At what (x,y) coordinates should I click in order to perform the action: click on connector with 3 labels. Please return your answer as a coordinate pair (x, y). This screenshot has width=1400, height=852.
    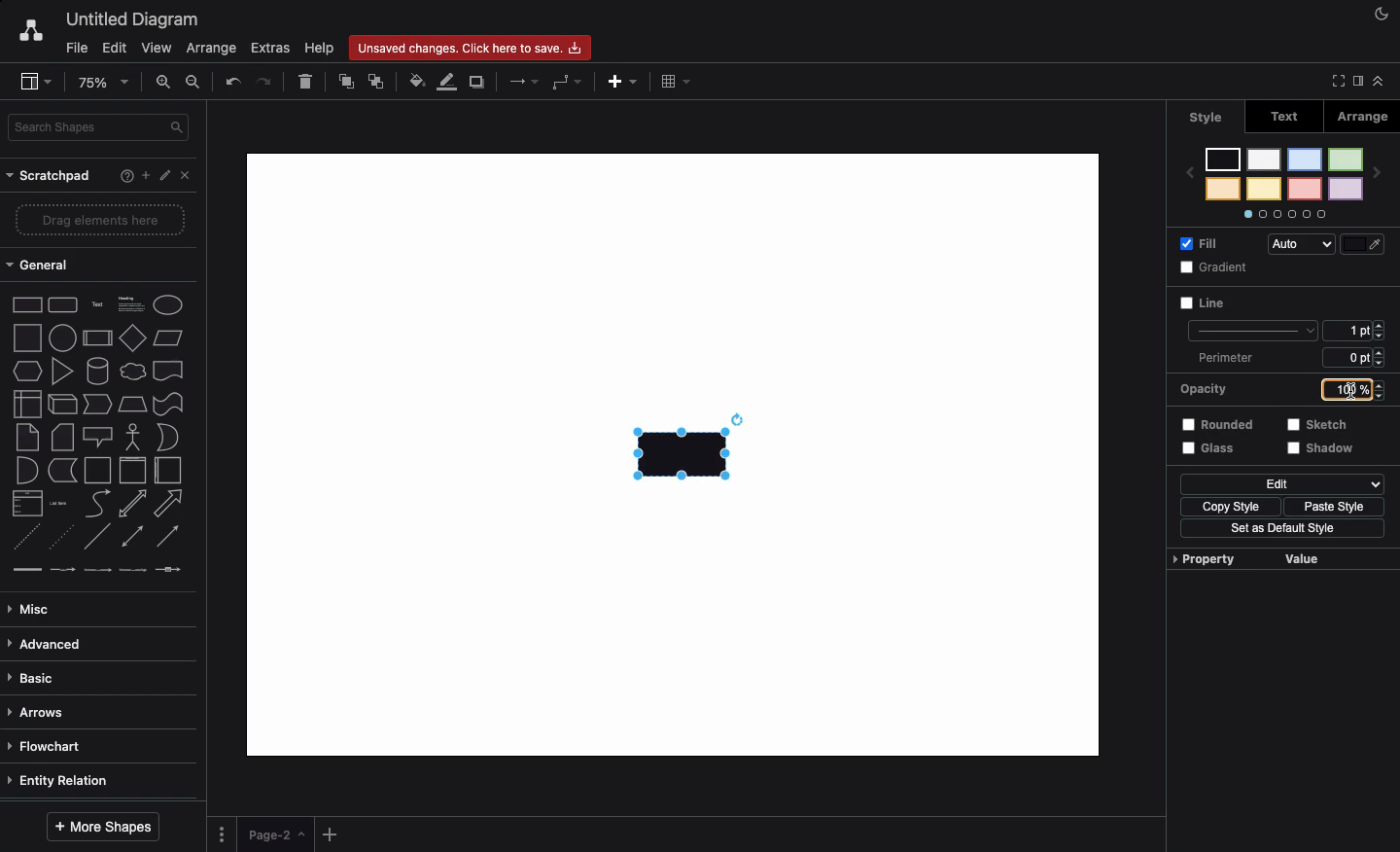
    Looking at the image, I should click on (132, 570).